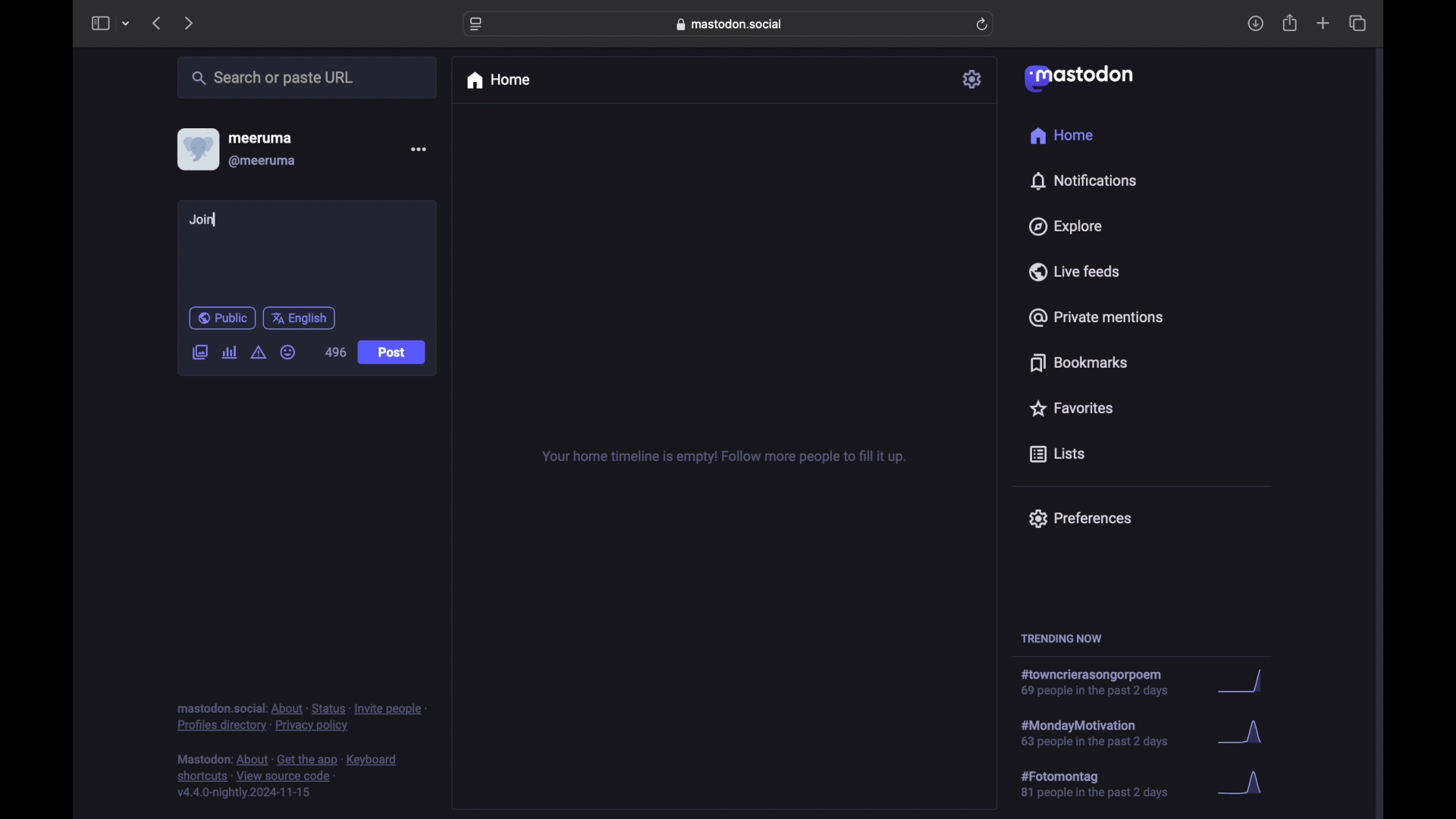 This screenshot has height=819, width=1456. Describe the element at coordinates (984, 25) in the screenshot. I see `refresh` at that location.